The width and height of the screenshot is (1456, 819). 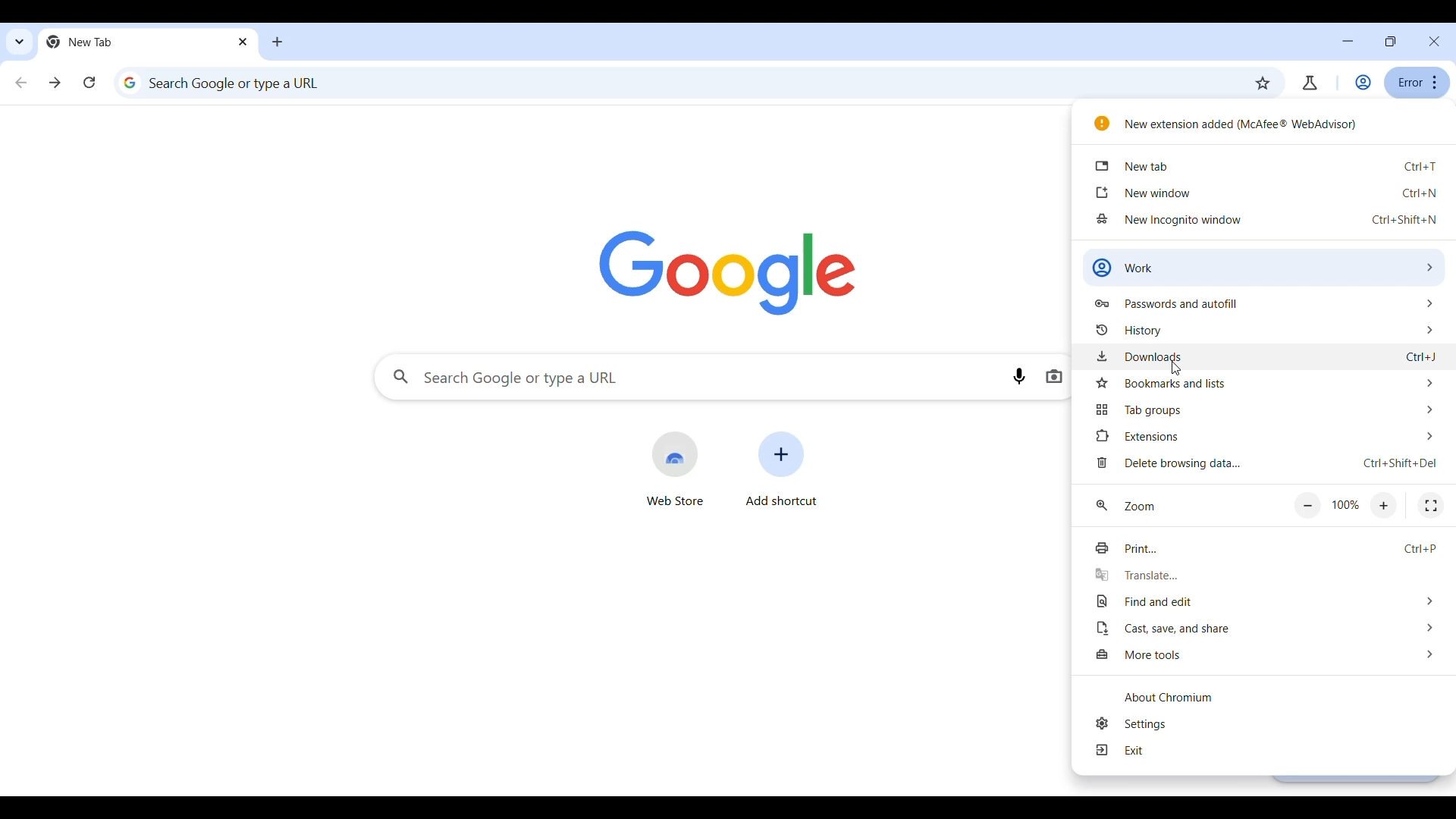 What do you see at coordinates (1265, 628) in the screenshot?
I see `Cast, save, and share ` at bounding box center [1265, 628].